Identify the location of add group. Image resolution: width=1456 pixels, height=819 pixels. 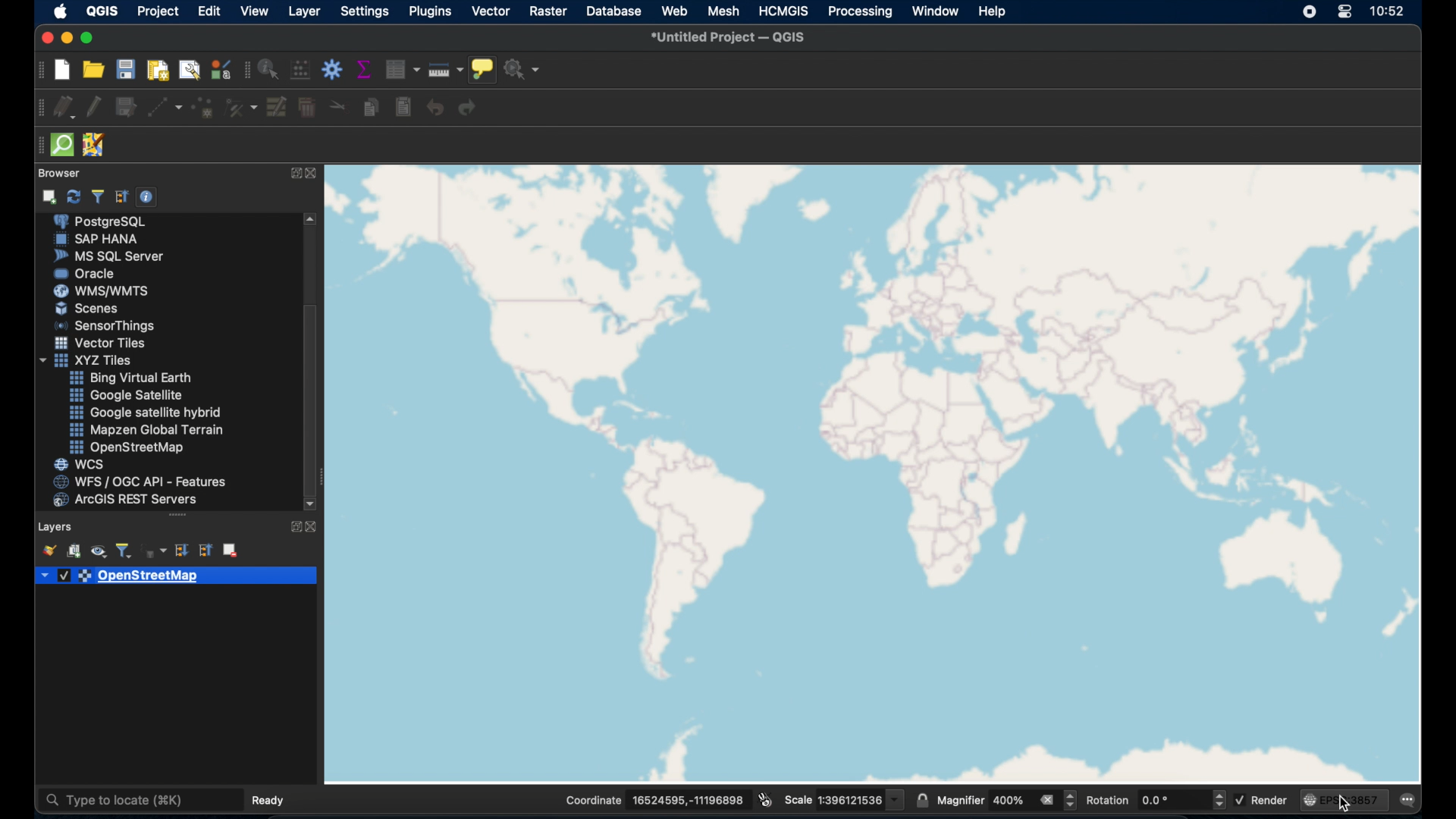
(74, 551).